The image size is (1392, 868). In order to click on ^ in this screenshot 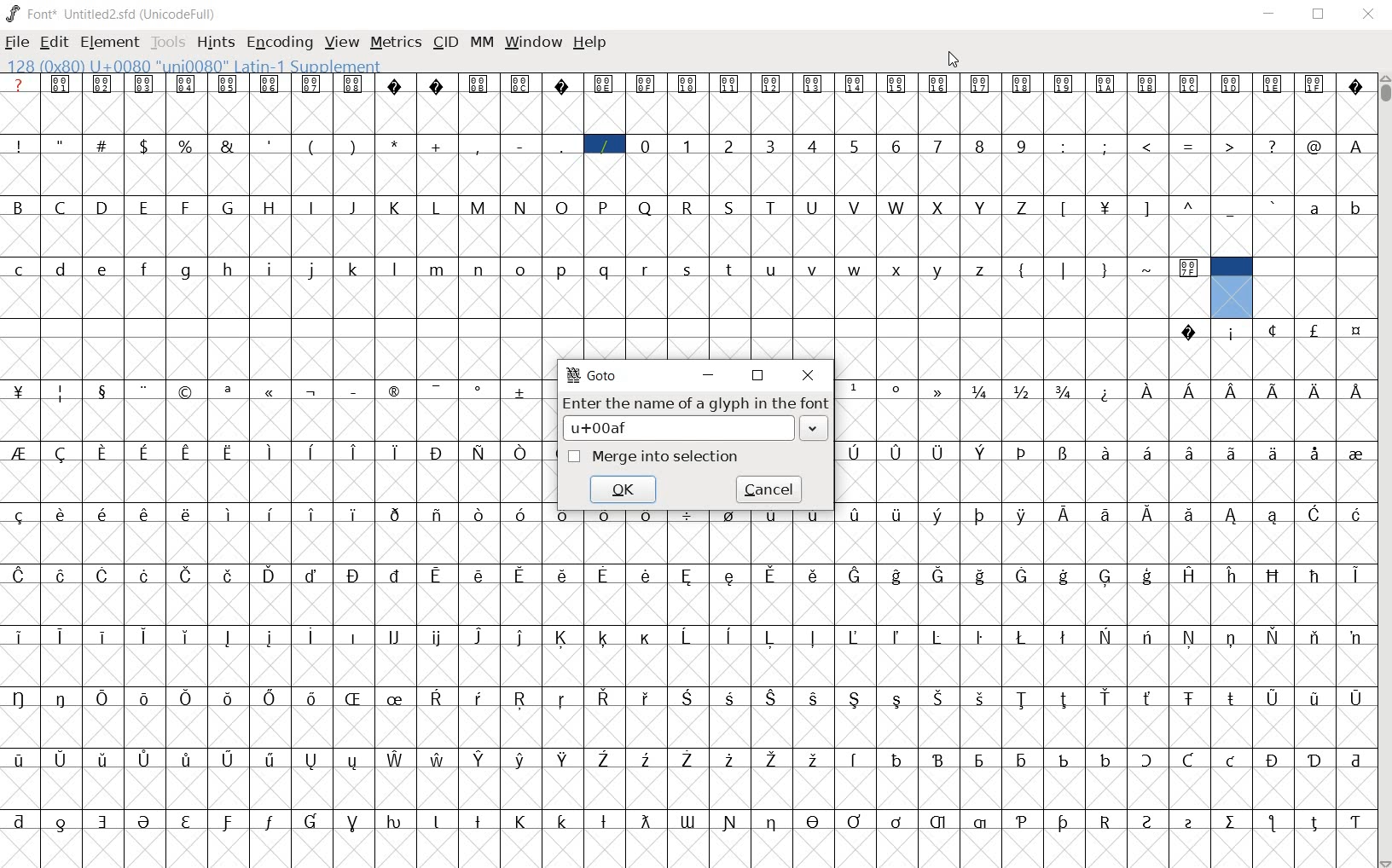, I will do `click(1190, 206)`.